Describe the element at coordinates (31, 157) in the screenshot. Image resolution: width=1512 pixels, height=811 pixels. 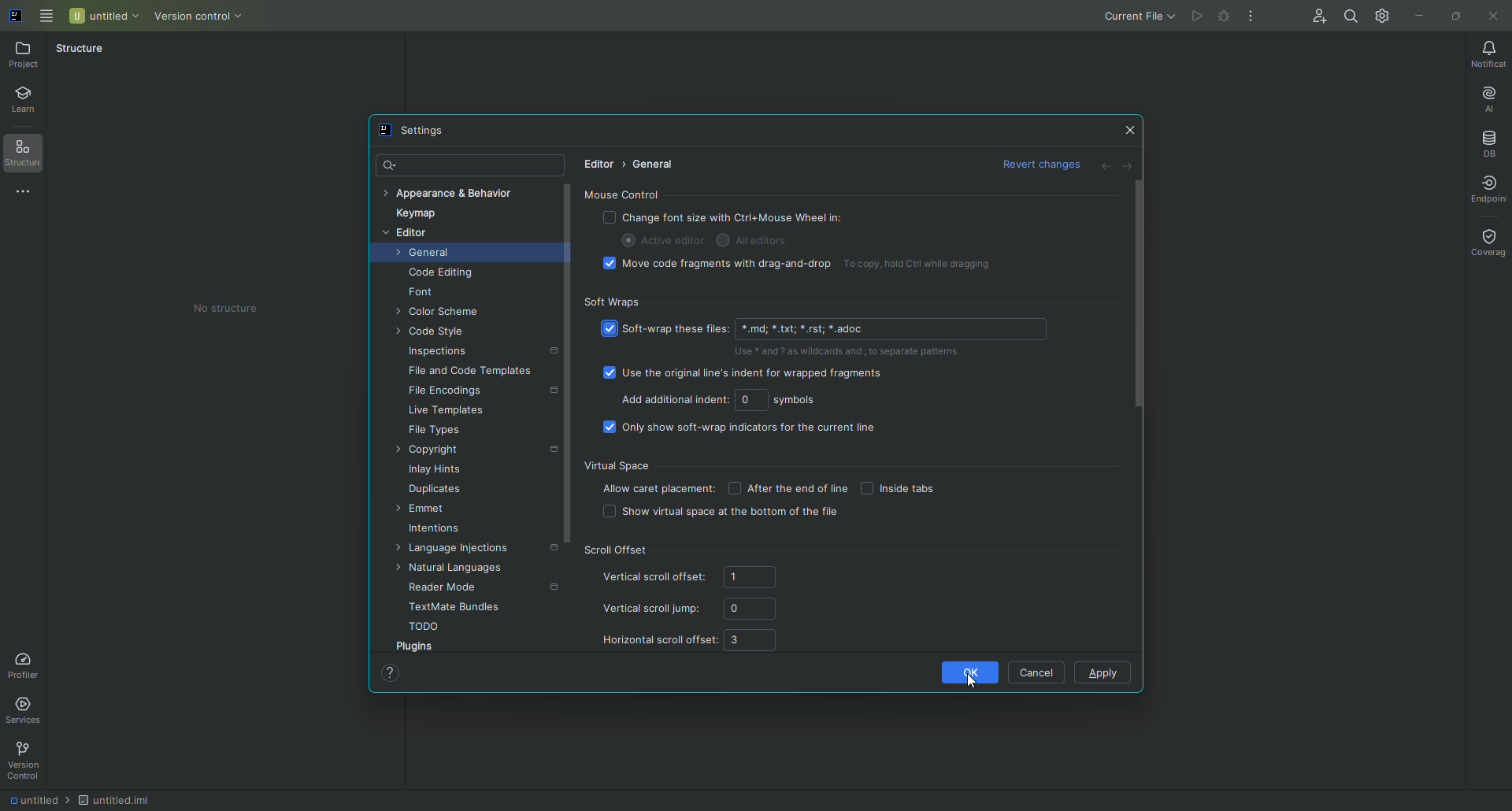
I see `Structure` at that location.